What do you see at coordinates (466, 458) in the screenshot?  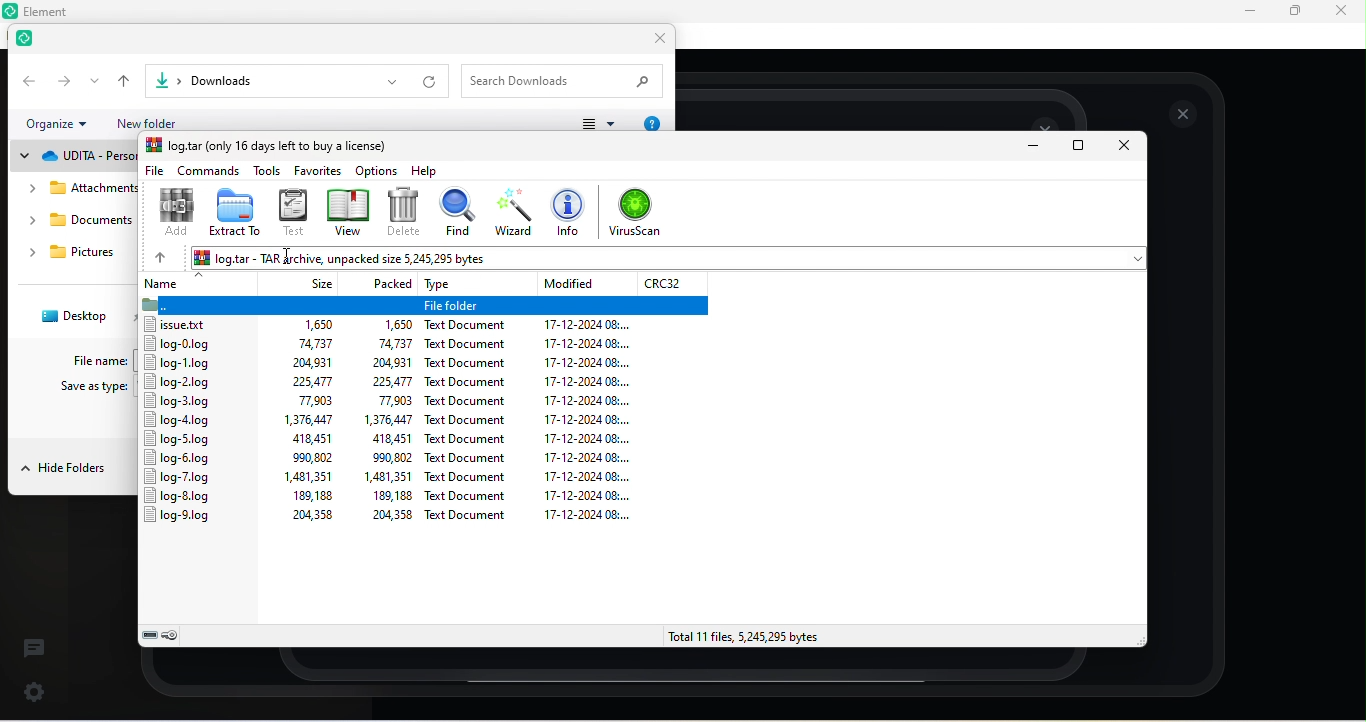 I see `text document` at bounding box center [466, 458].